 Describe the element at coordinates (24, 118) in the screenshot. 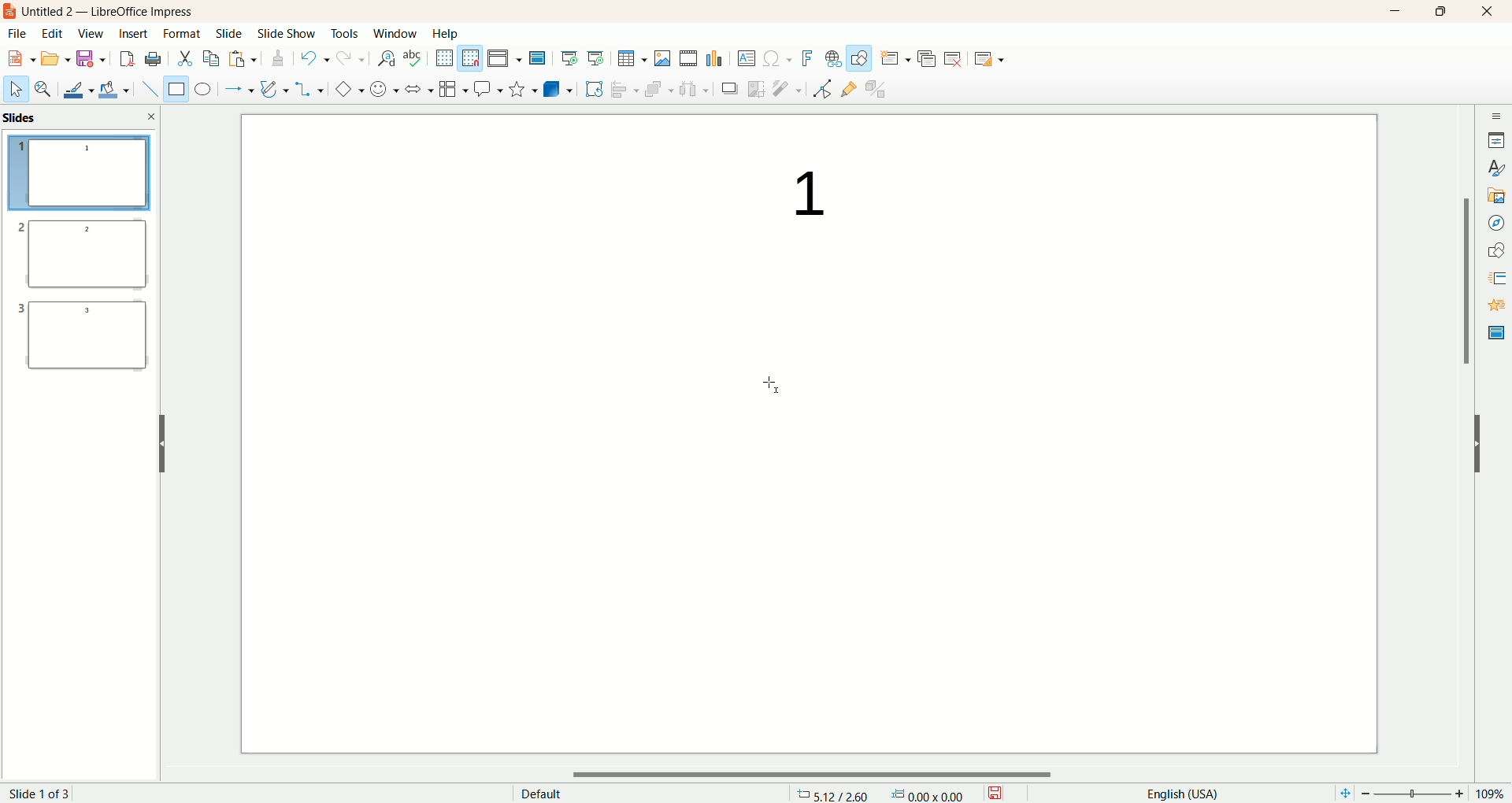

I see `slides` at that location.